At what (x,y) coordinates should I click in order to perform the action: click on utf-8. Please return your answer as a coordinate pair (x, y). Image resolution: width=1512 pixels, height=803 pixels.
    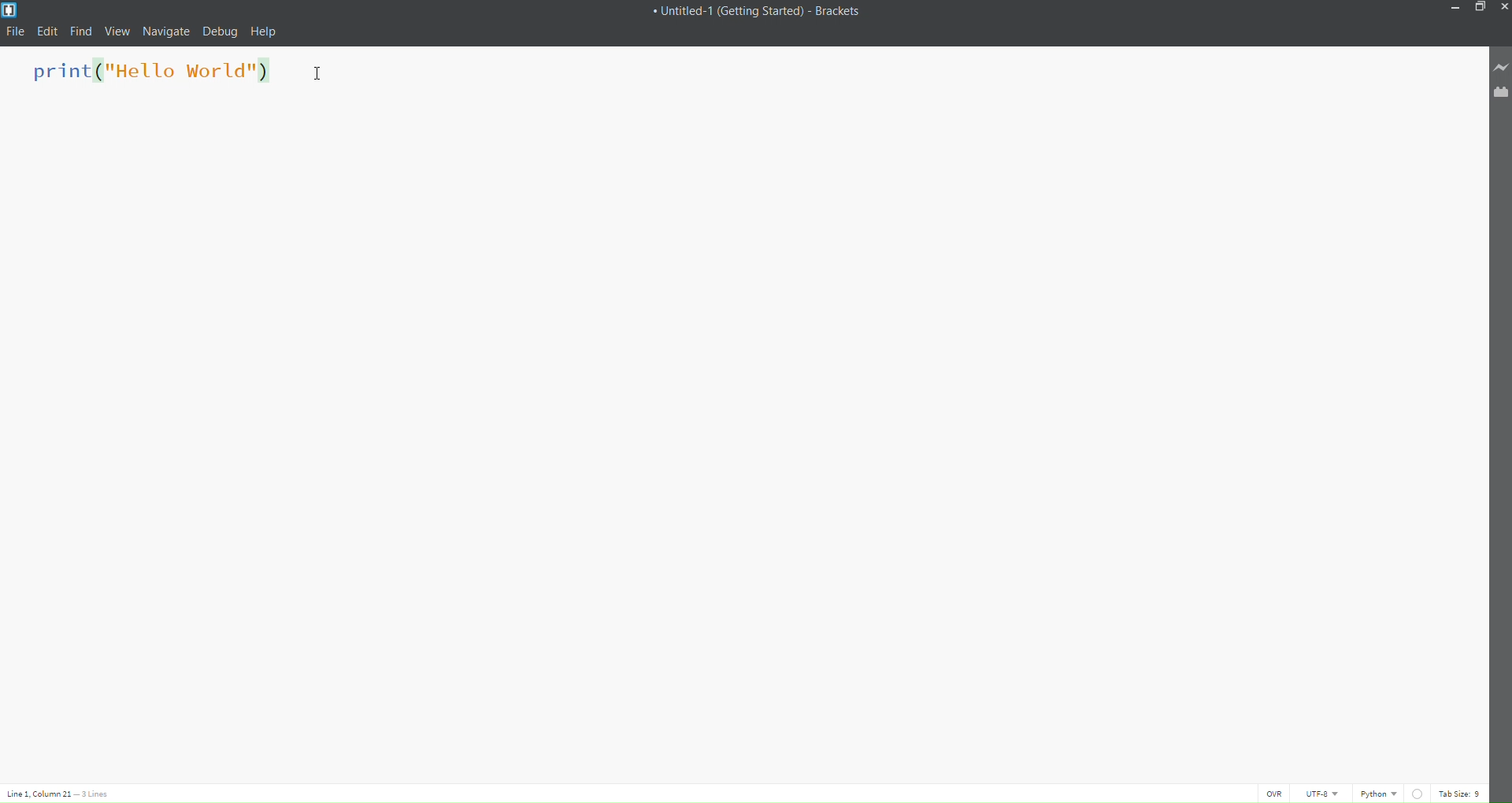
    Looking at the image, I should click on (1320, 793).